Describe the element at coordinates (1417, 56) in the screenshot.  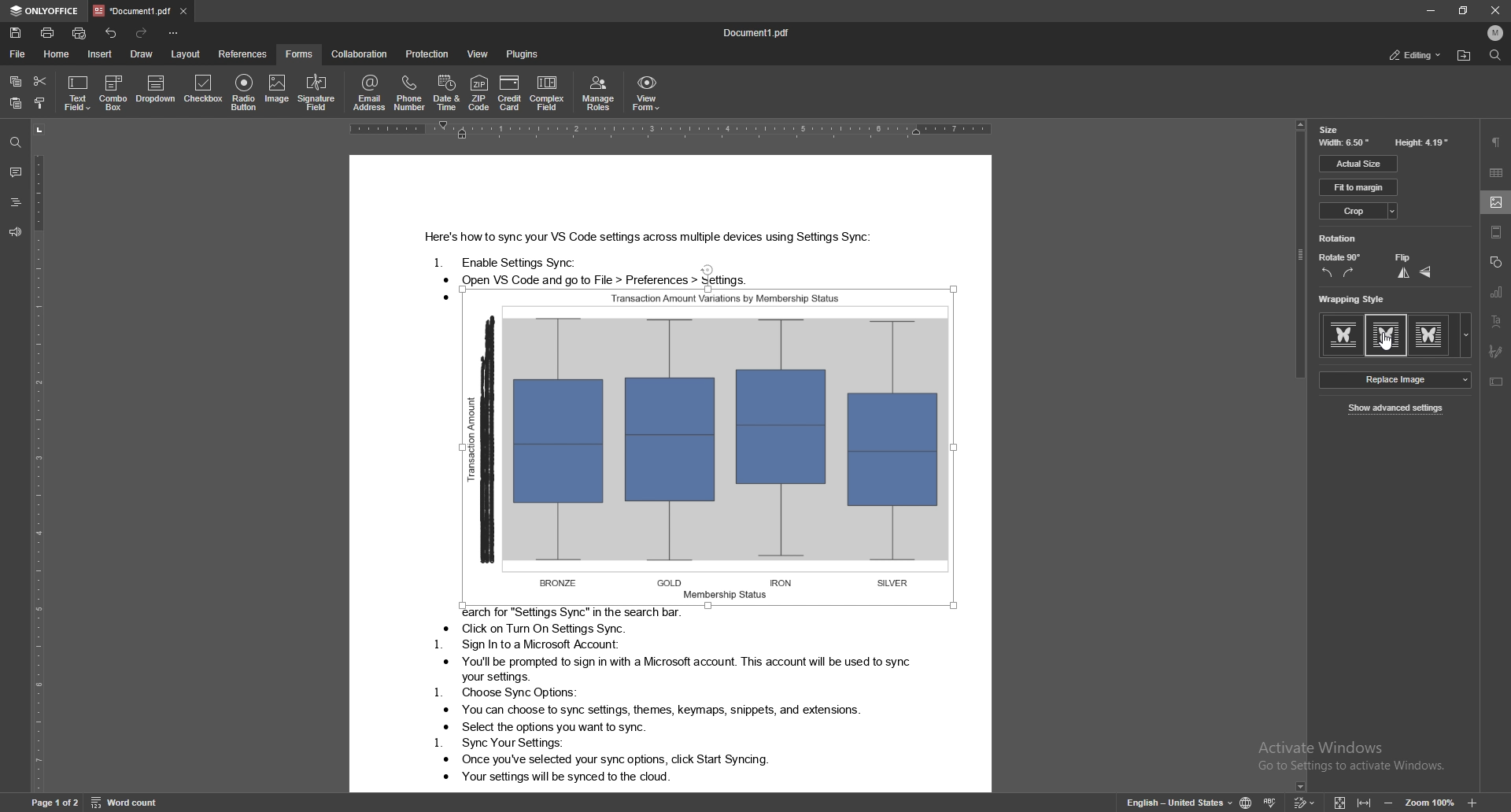
I see `editing` at that location.